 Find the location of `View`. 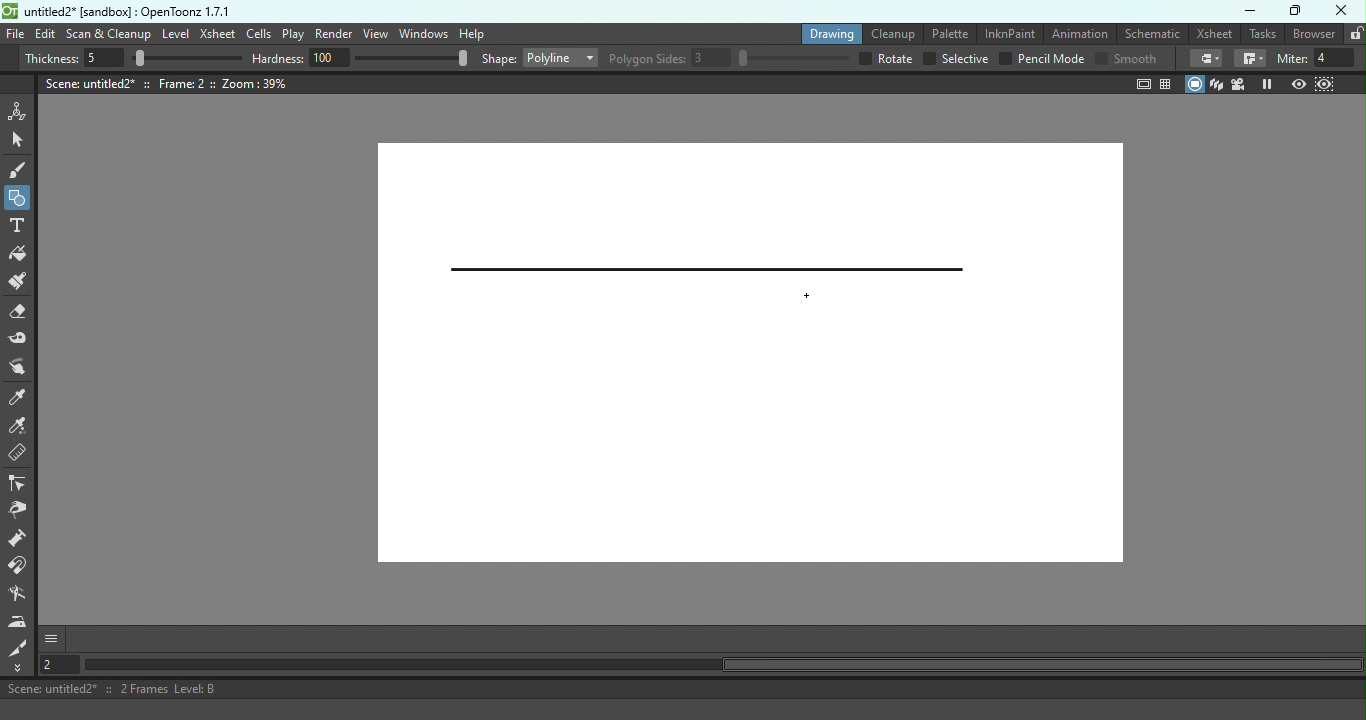

View is located at coordinates (374, 33).